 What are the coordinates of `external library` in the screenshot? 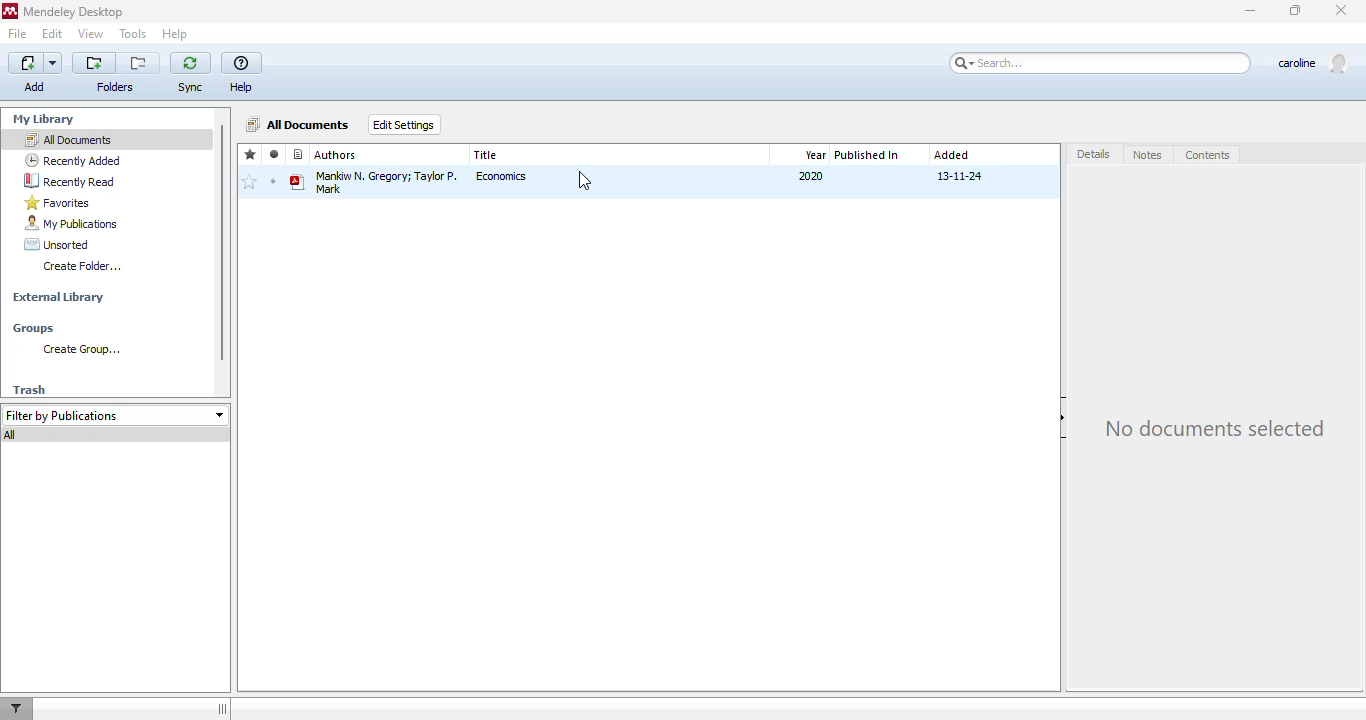 It's located at (58, 297).